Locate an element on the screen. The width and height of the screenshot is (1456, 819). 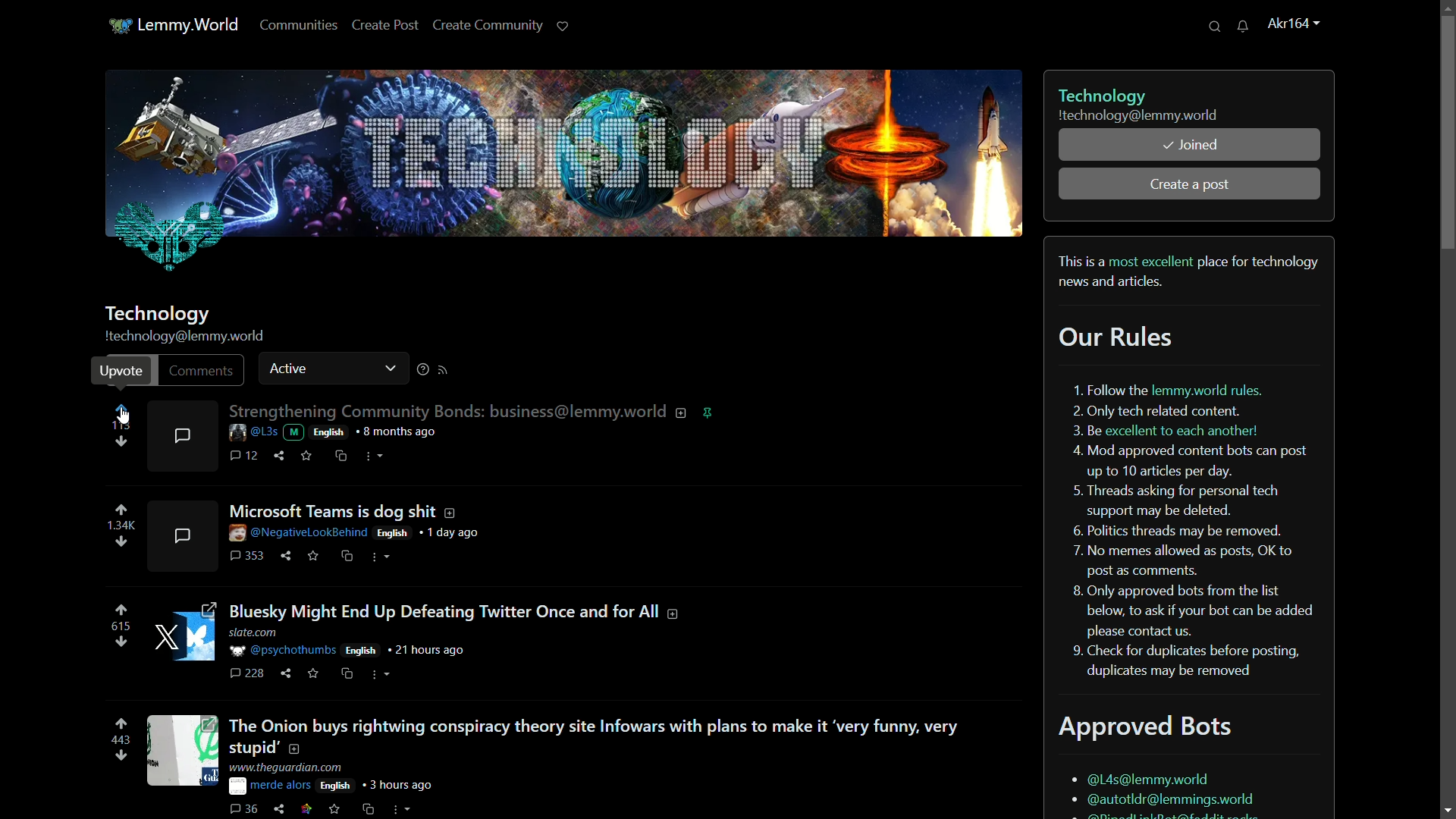
post details is located at coordinates (362, 532).